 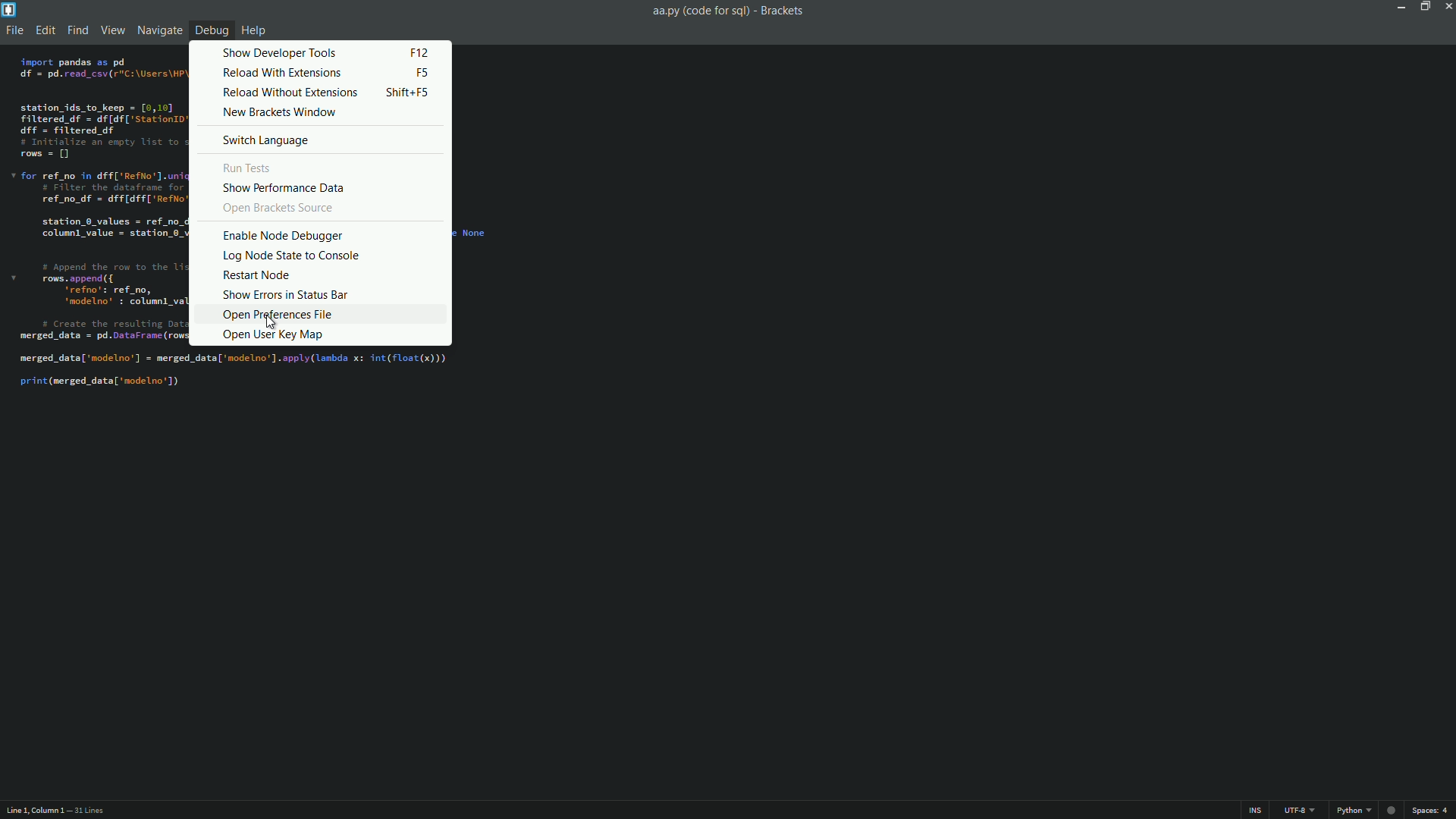 I want to click on Line 1, Column 1 — 31 Lines., so click(x=55, y=808).